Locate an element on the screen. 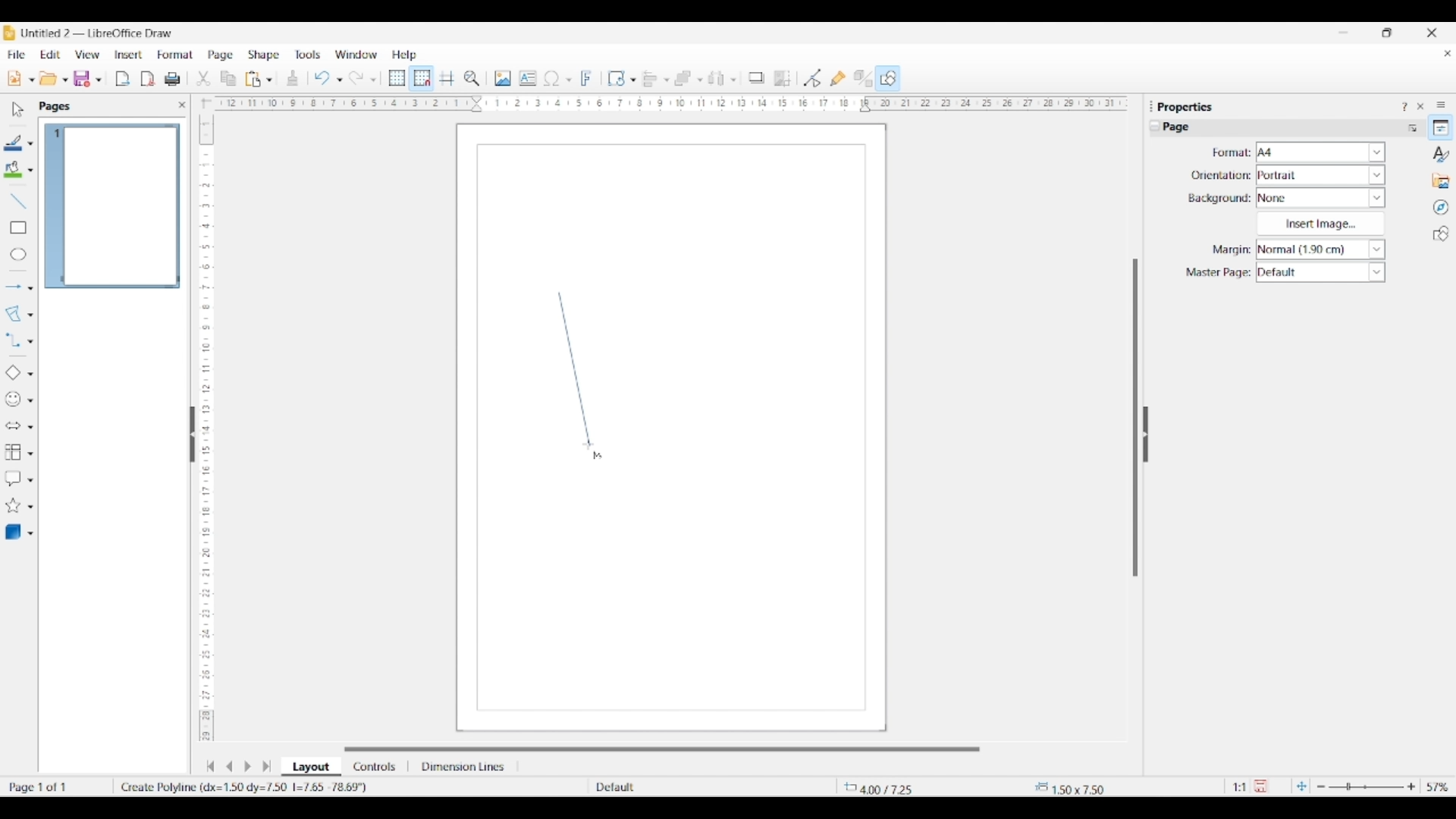 The width and height of the screenshot is (1456, 819). Shapes is located at coordinates (1441, 234).